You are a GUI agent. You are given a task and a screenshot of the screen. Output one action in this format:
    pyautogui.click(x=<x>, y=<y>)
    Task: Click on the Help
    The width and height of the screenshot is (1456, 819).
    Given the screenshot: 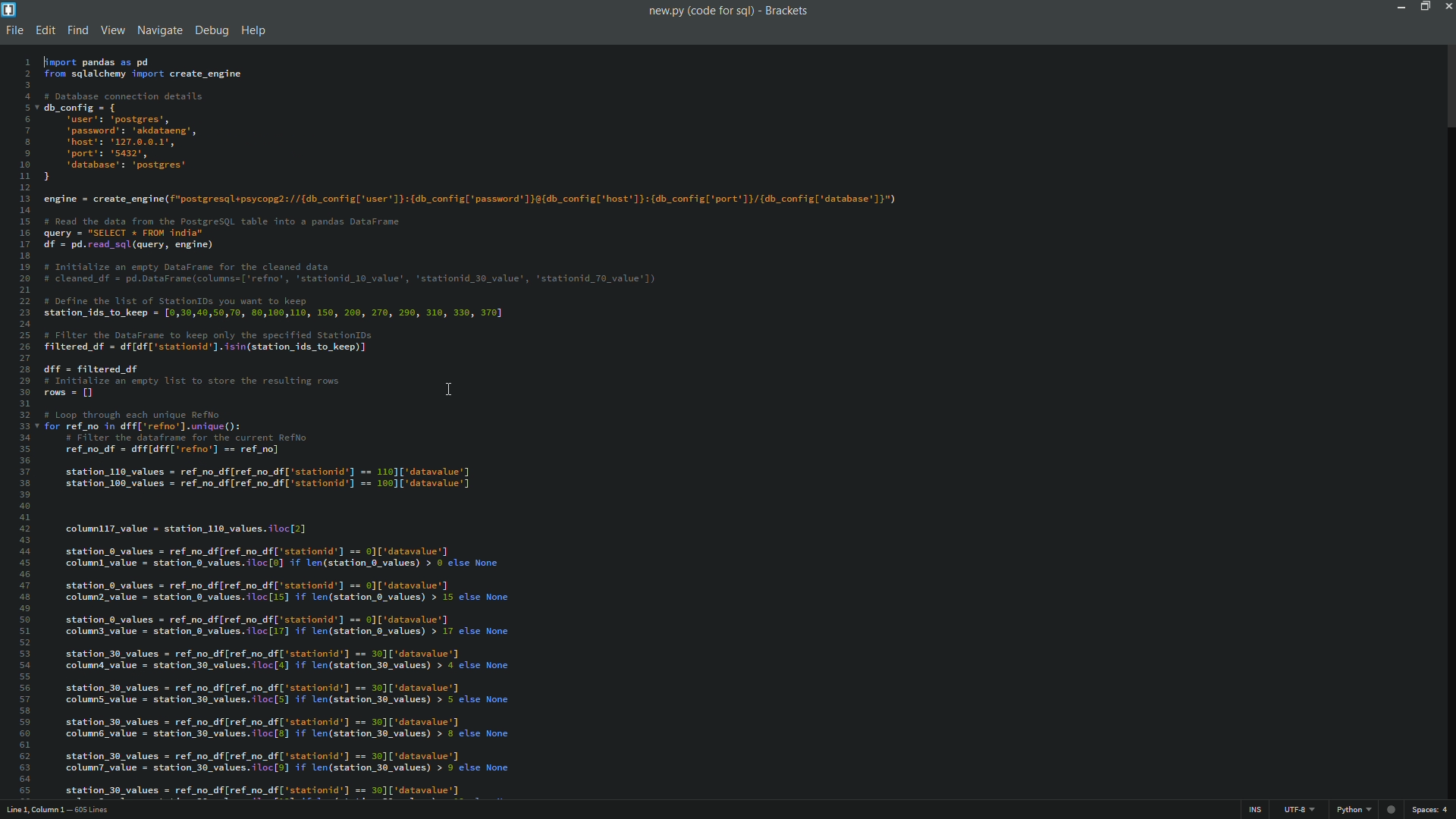 What is the action you would take?
    pyautogui.click(x=252, y=30)
    